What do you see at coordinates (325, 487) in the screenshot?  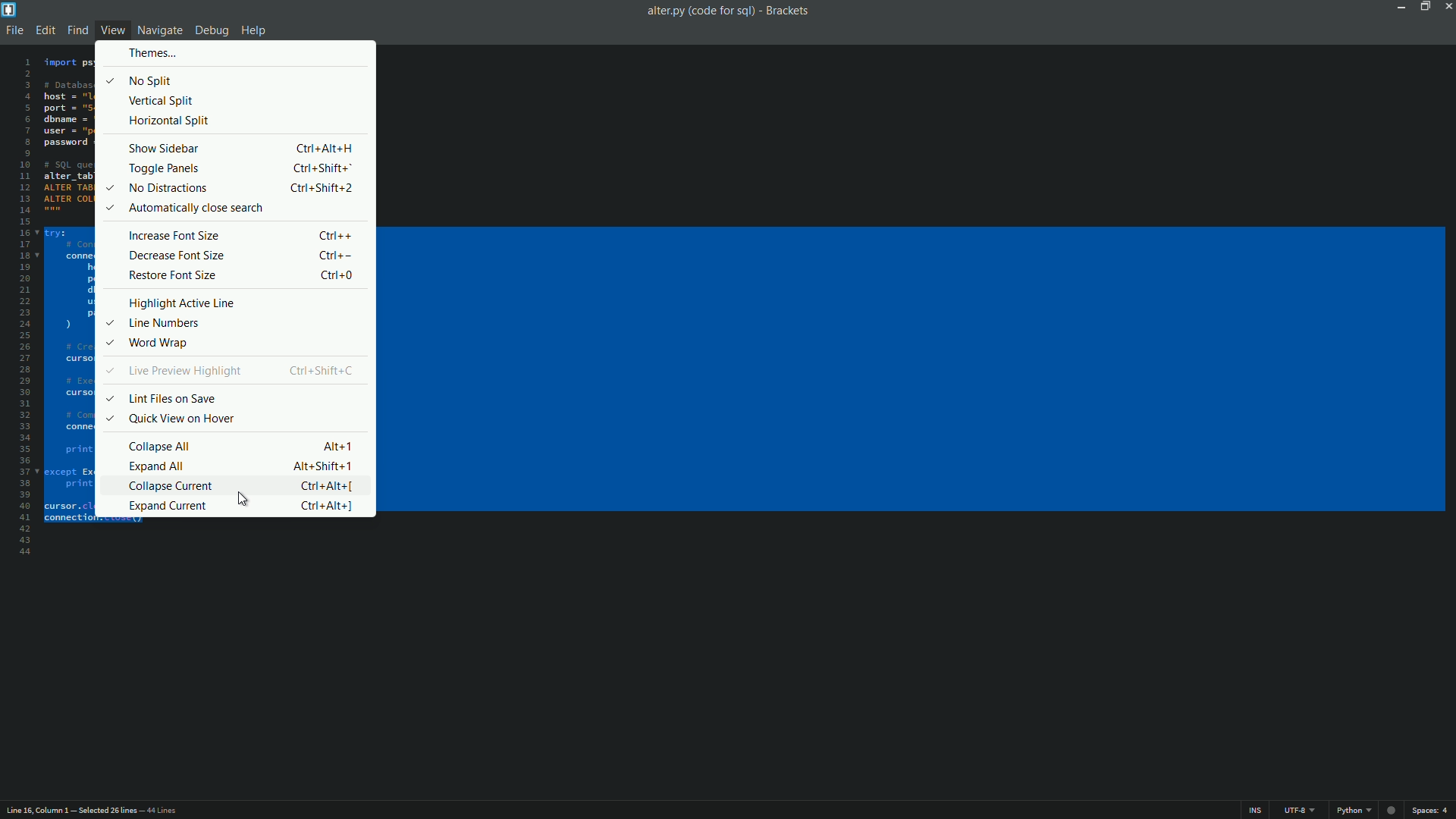 I see `keyboard shortcut` at bounding box center [325, 487].